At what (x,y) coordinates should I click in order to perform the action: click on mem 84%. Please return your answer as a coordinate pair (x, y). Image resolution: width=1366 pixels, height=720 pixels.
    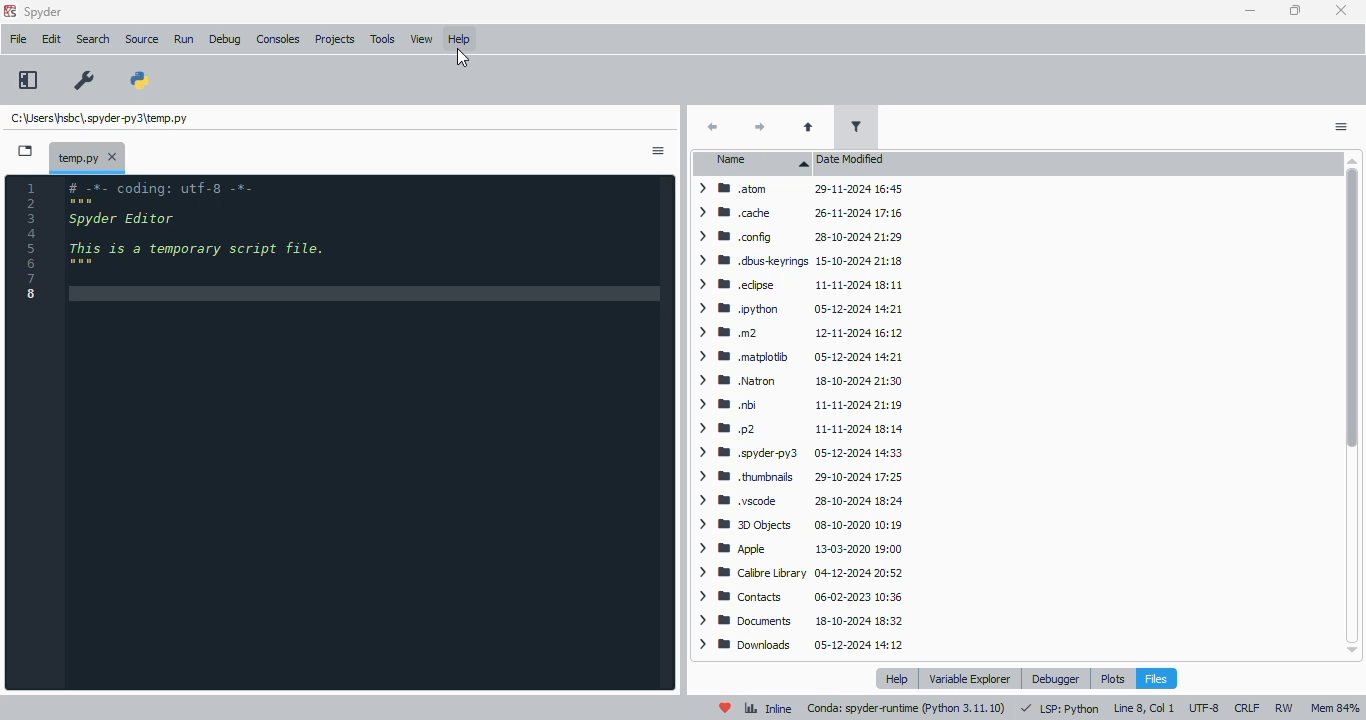
    Looking at the image, I should click on (1335, 708).